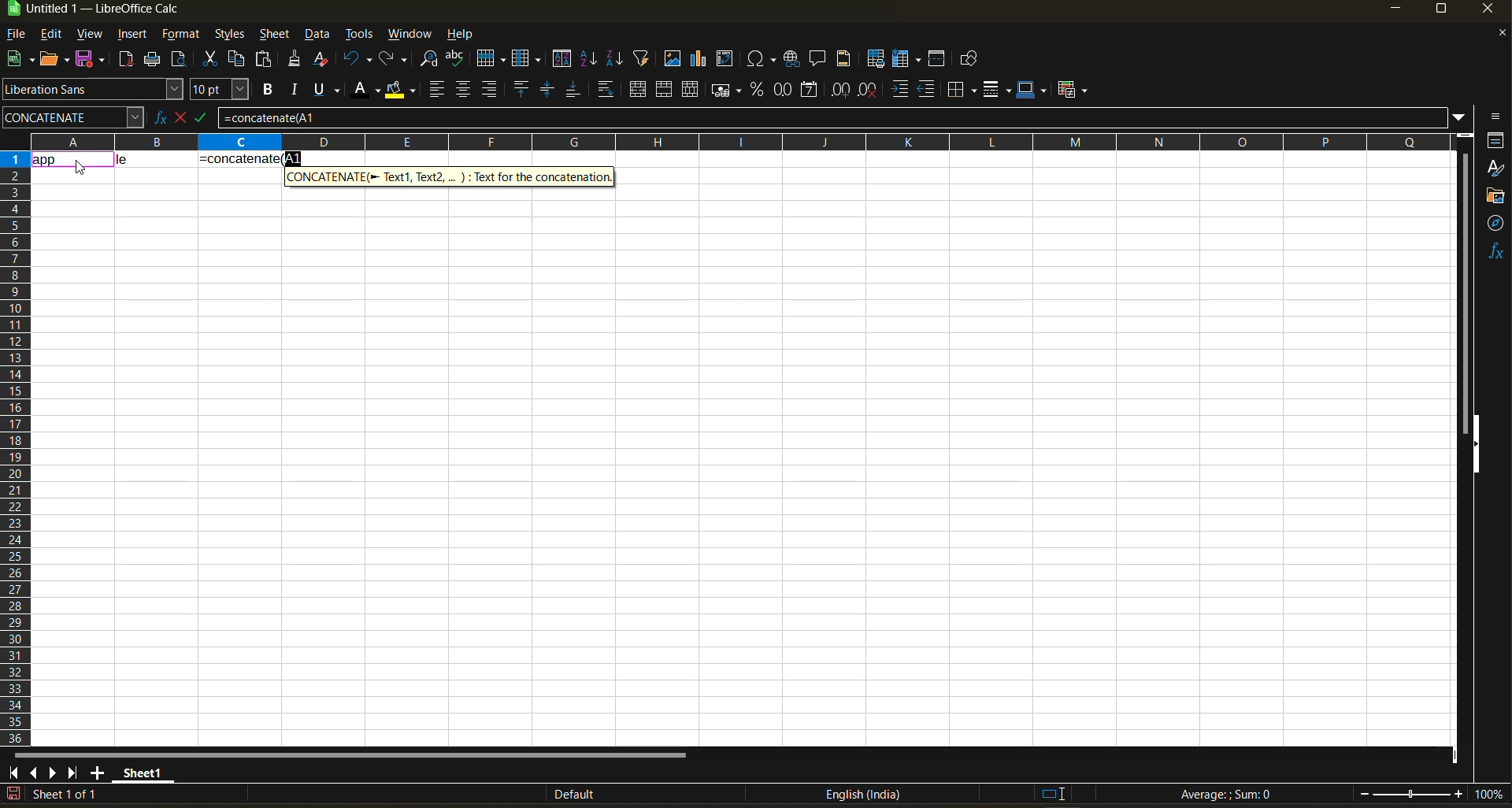 The image size is (1512, 808). What do you see at coordinates (862, 794) in the screenshot?
I see `text language` at bounding box center [862, 794].